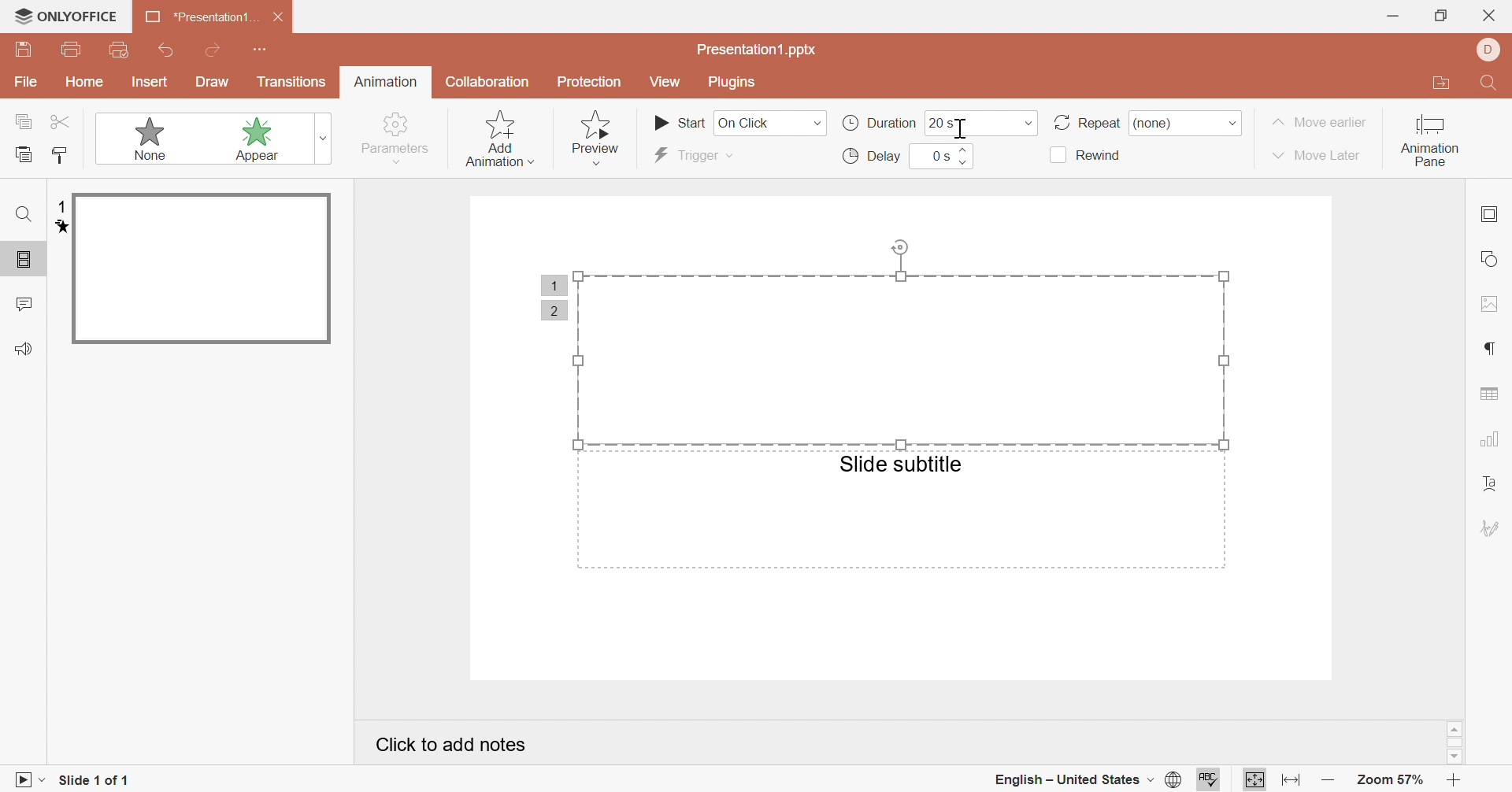 The height and width of the screenshot is (792, 1512). I want to click on shape settings, so click(1488, 257).